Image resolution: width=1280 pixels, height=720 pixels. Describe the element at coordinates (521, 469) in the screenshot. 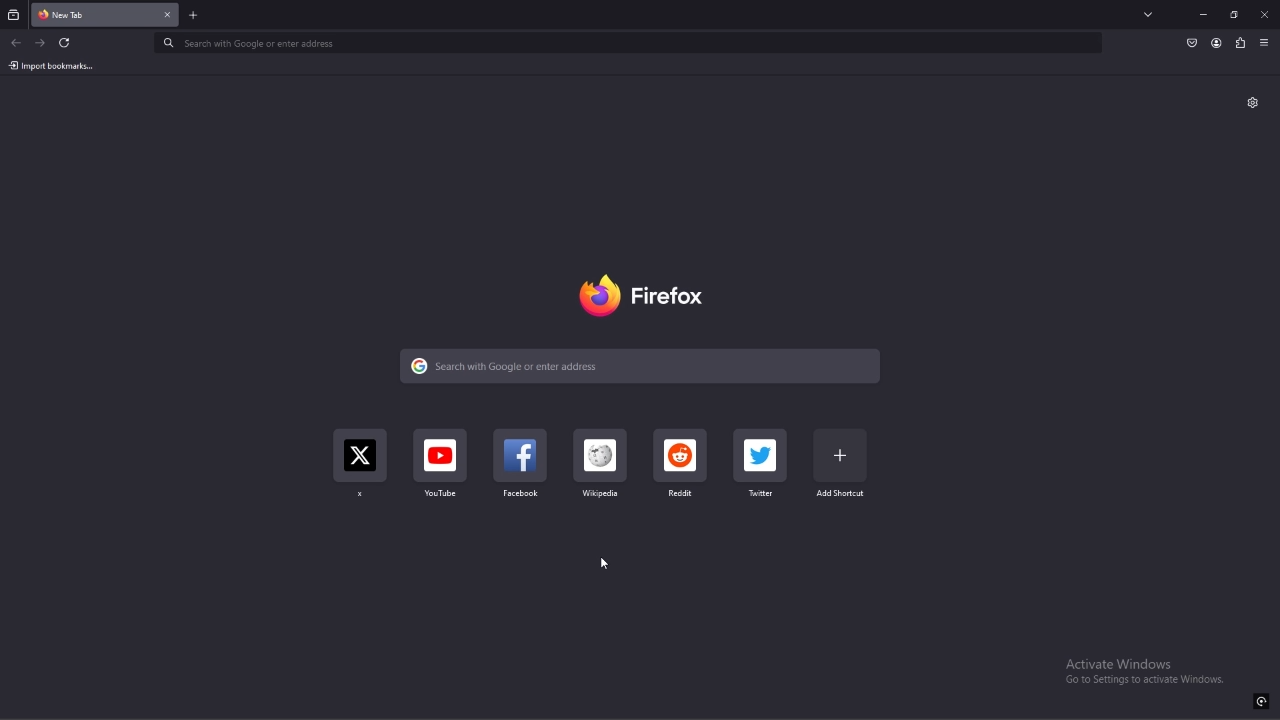

I see `facebook` at that location.